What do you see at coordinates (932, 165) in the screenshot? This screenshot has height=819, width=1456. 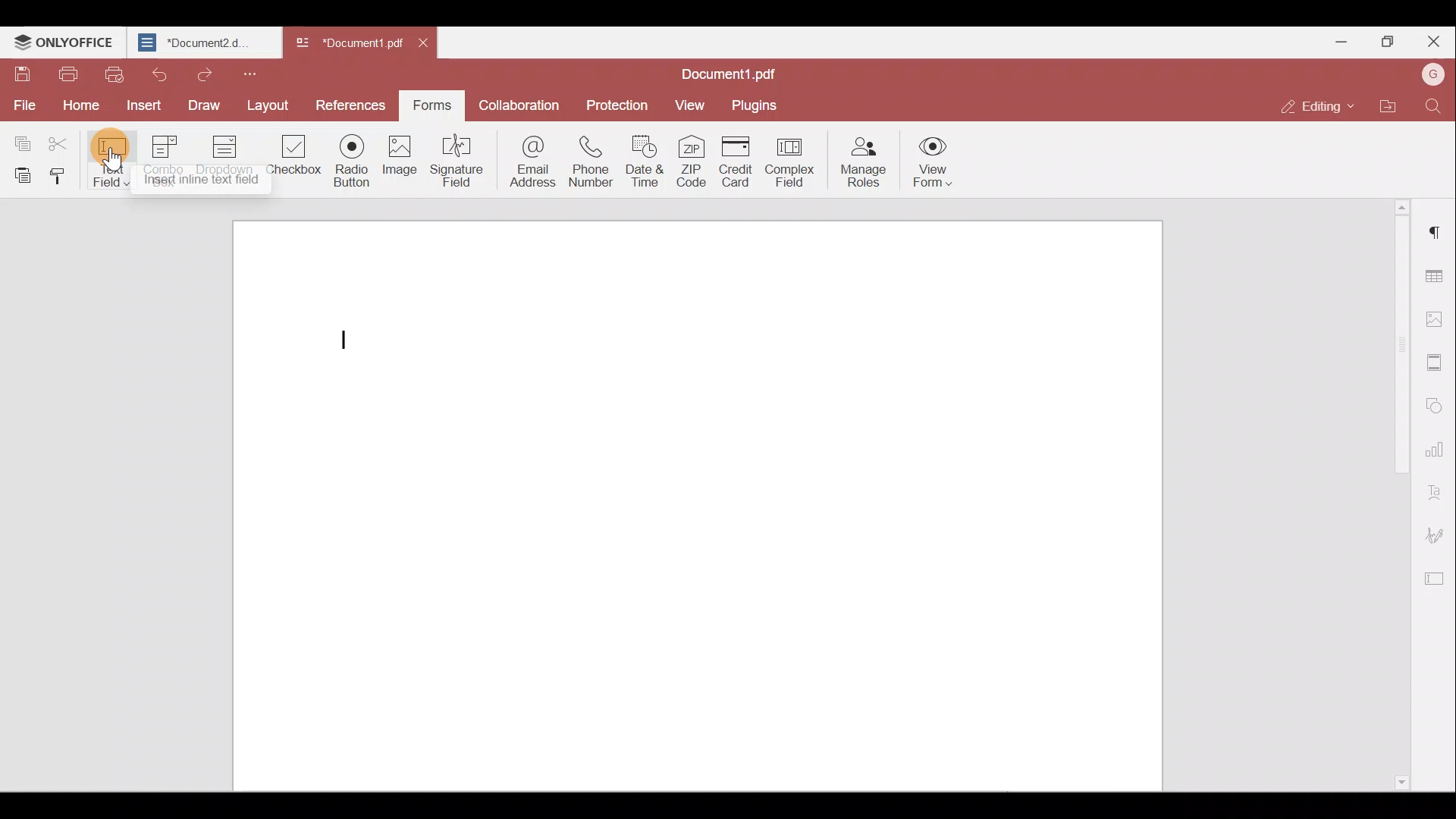 I see `View form` at bounding box center [932, 165].